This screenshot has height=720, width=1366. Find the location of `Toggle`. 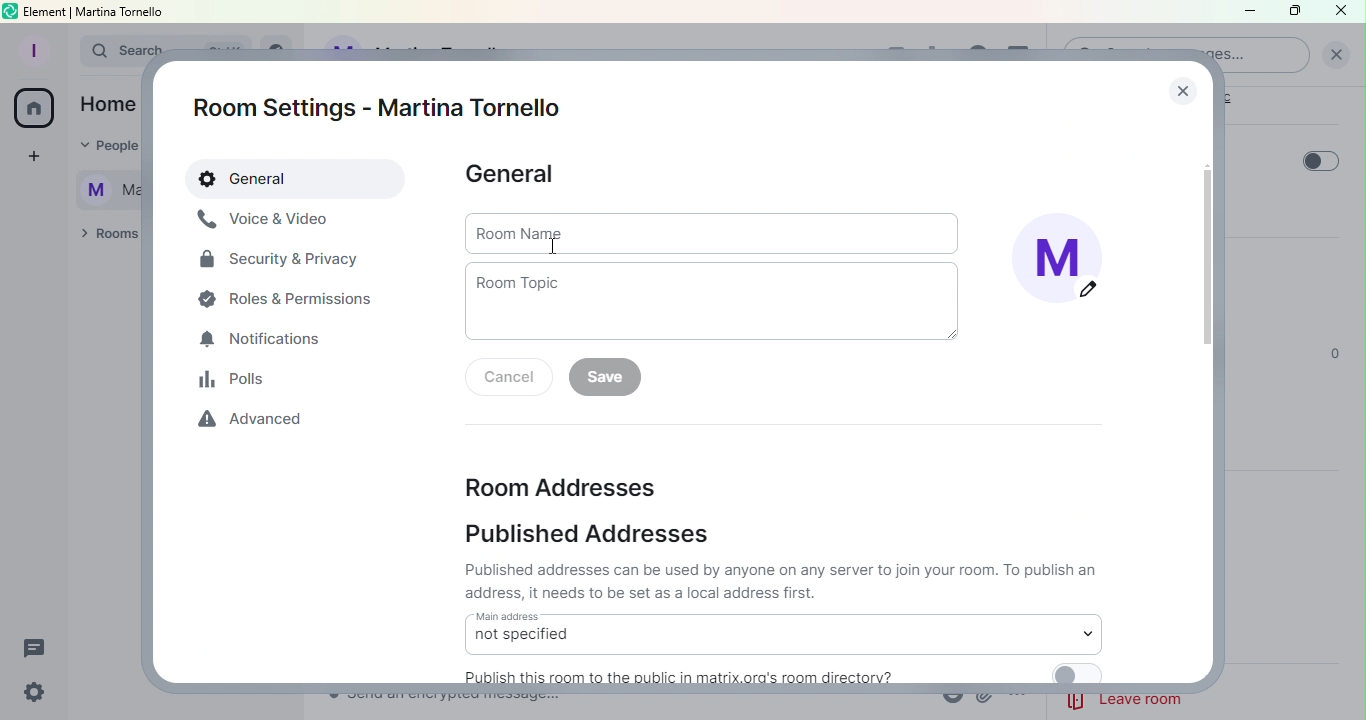

Toggle is located at coordinates (1321, 161).